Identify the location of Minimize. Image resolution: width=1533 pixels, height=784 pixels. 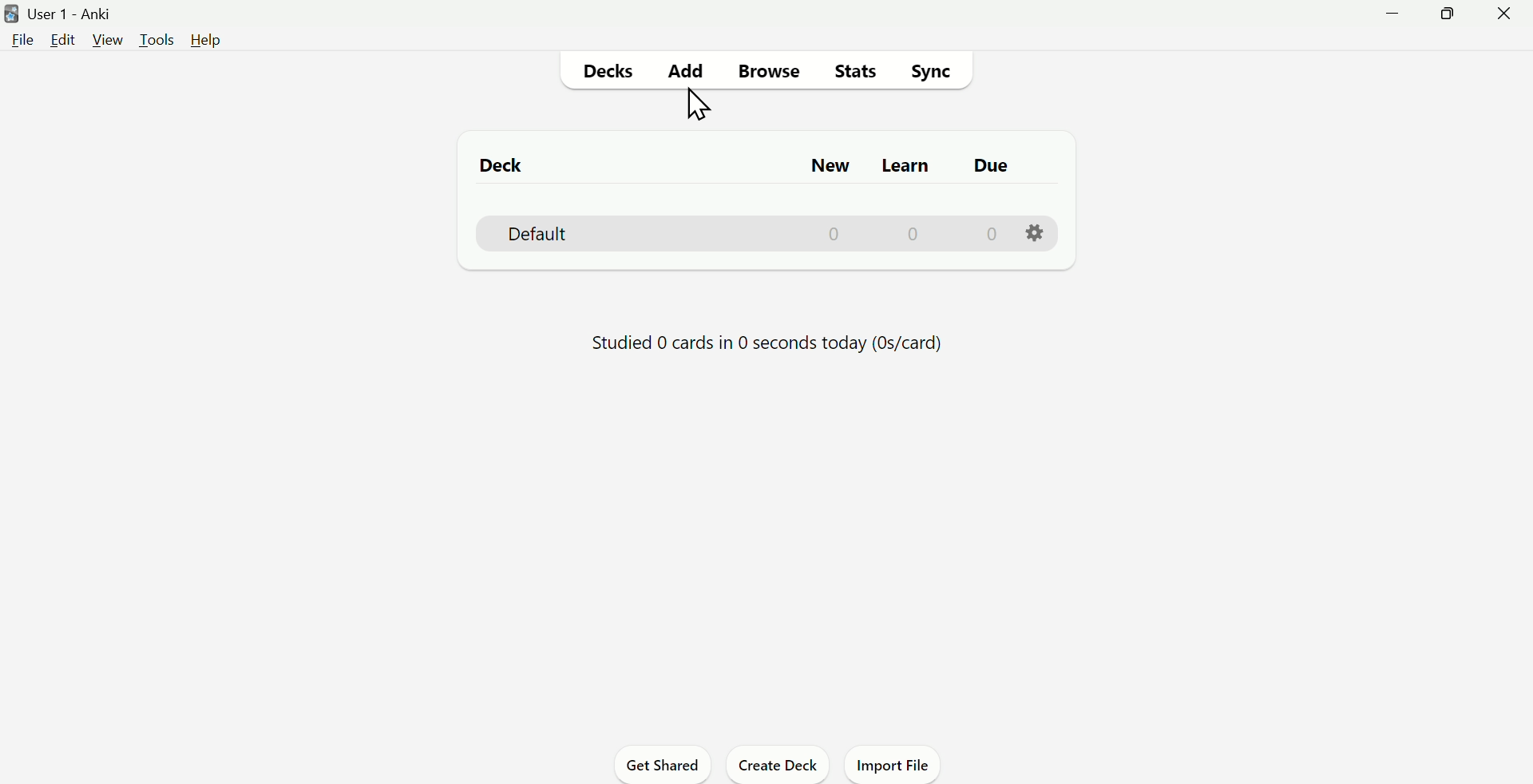
(1393, 12).